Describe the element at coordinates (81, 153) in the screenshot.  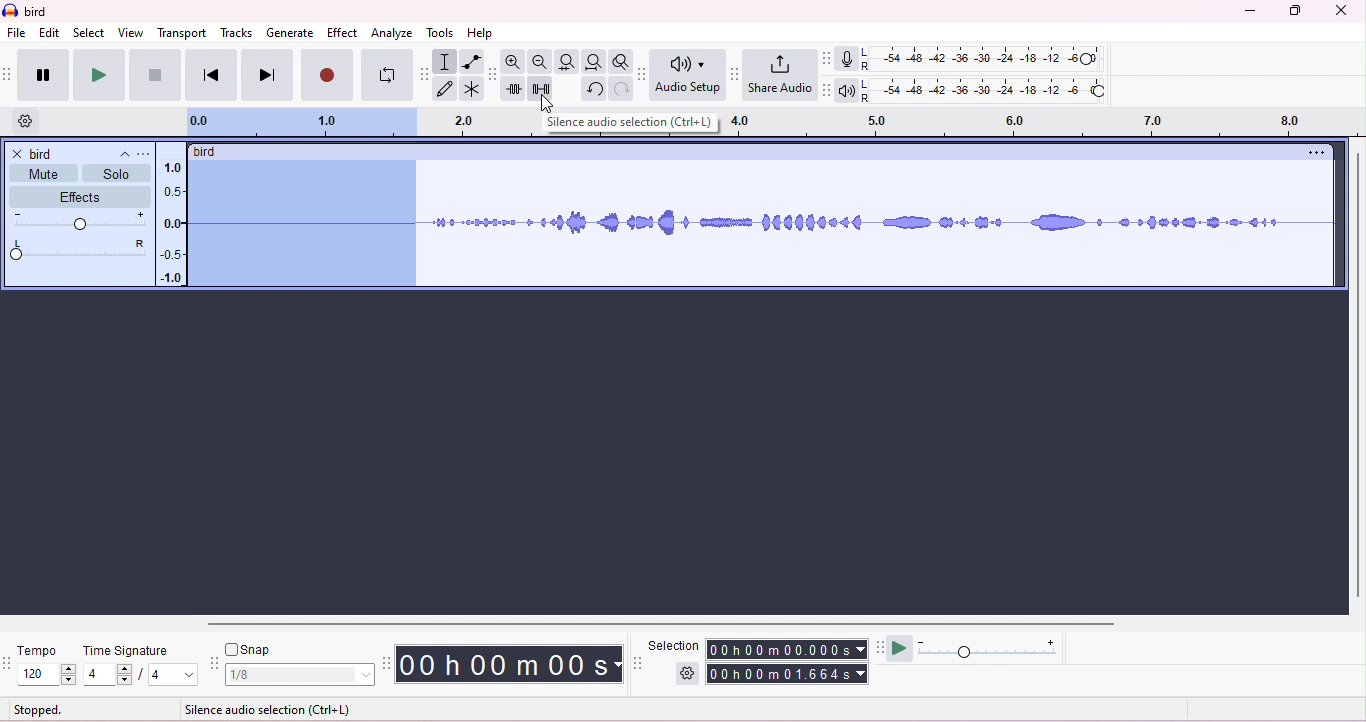
I see `track title` at that location.